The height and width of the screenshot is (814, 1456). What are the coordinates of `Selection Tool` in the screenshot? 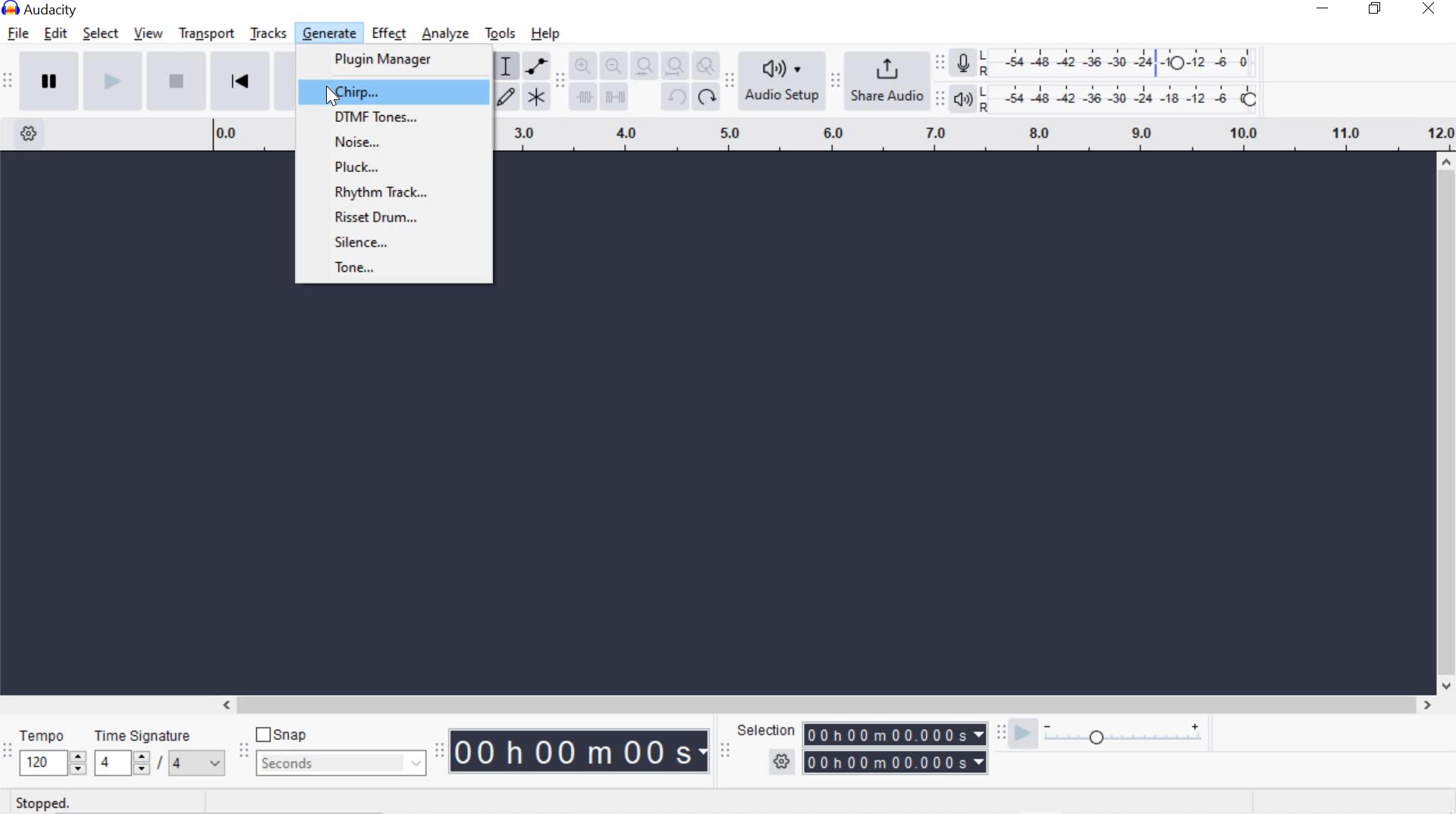 It's located at (504, 66).